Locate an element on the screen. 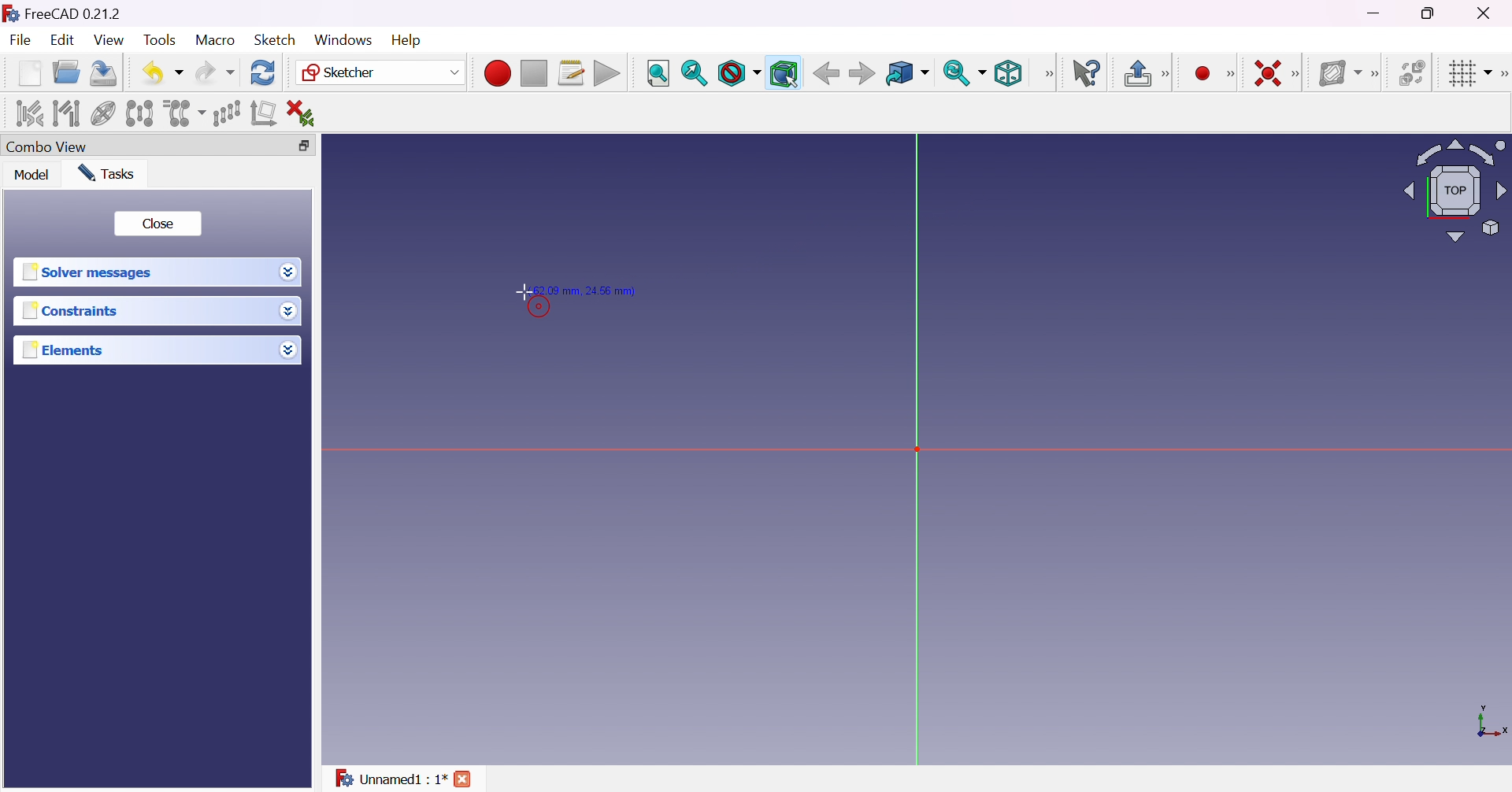 Image resolution: width=1512 pixels, height=792 pixels. Create point is located at coordinates (1203, 74).